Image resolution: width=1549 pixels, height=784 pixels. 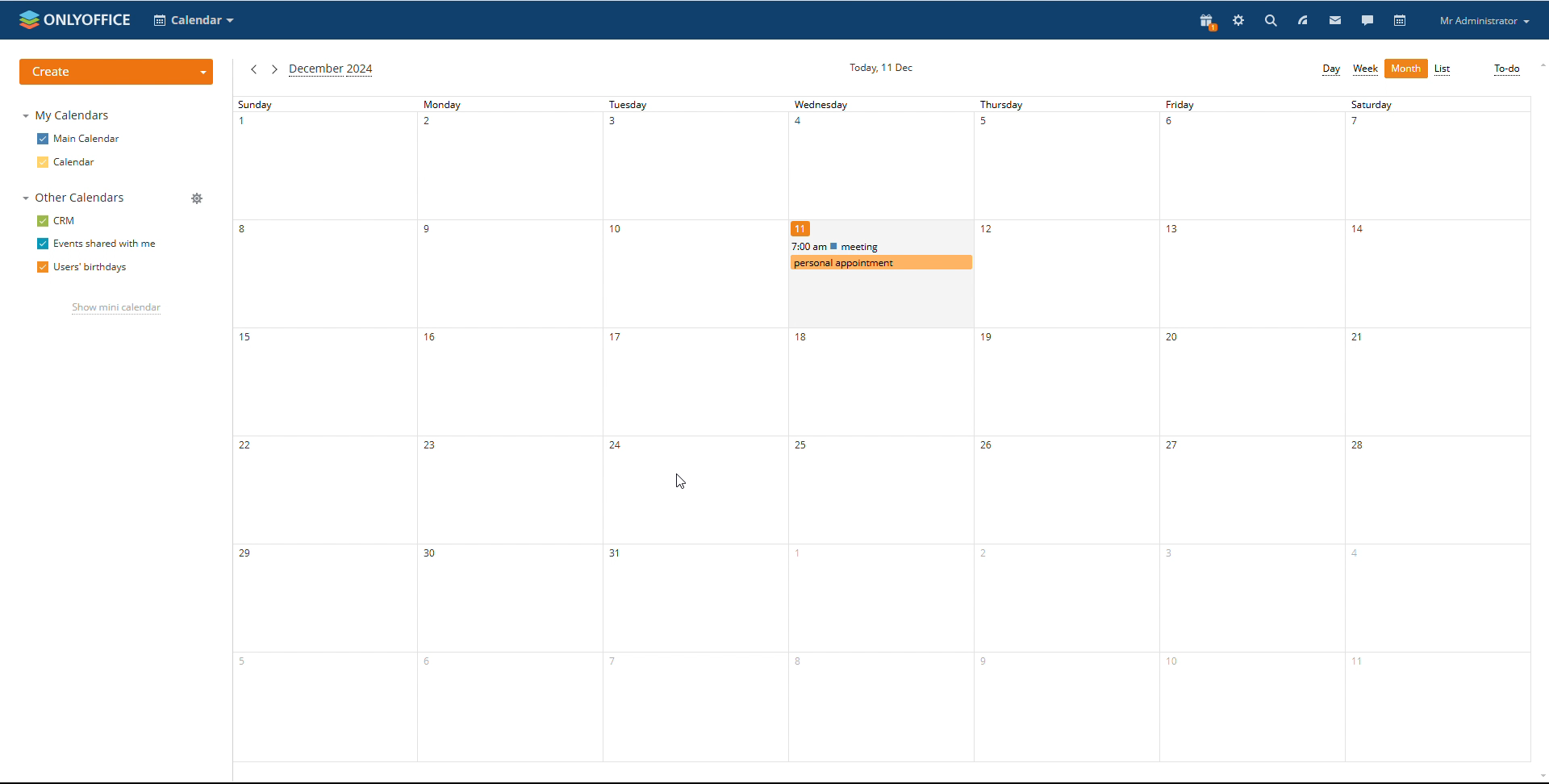 I want to click on other calendars, so click(x=77, y=198).